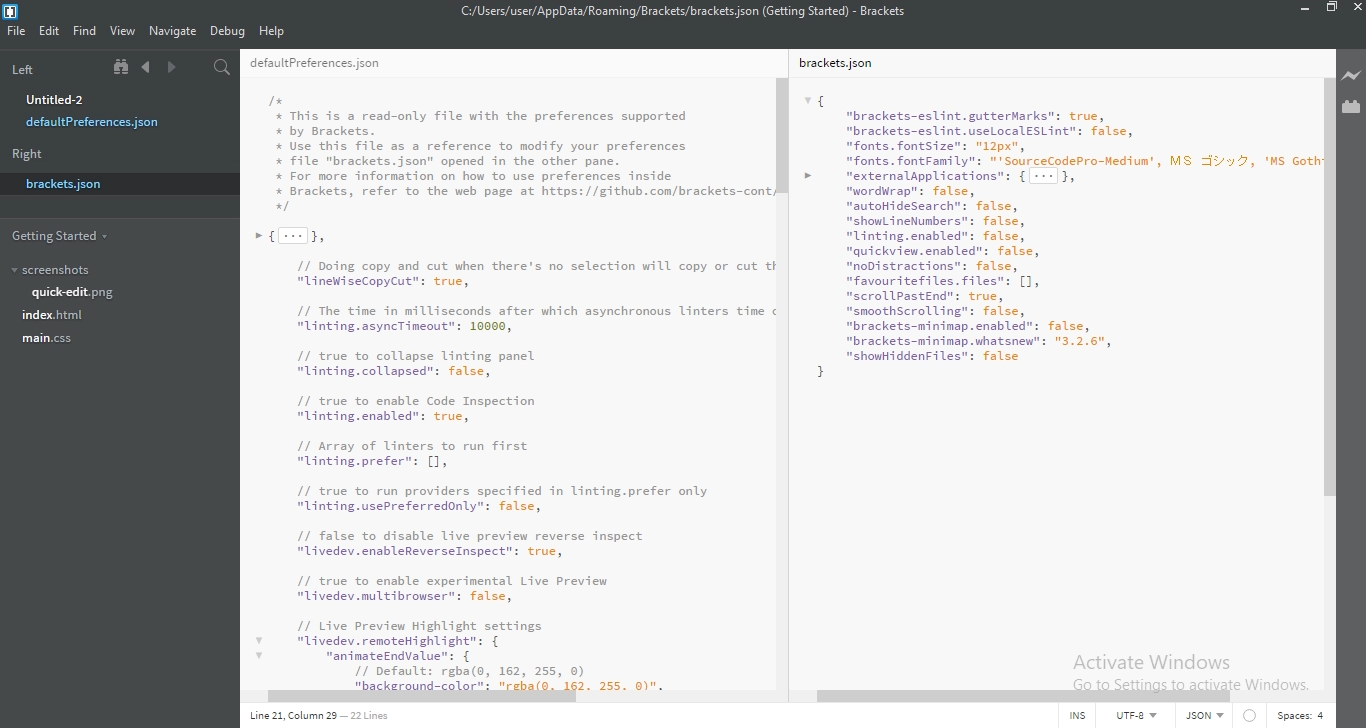 This screenshot has height=728, width=1366. What do you see at coordinates (1055, 231) in the screenshot?
I see `{"brackets-eslint.gutterMarks": true,"brackets-eslint.useLocal€SLint": false,"fonts. fontsize": "12px","fonts. fontFamily": "'SourceCodePro-Nedium', MS v2, 'MS Gothic’, monospace”> vexternalpplications": { --- },"wordWrap": false,“autoHidesearch": false,"shomLineNumbers": false,"Uinting.enabled": false,"quickview.enabled": false,"noDistractions": false,"favour itefiles. files": [1,"scrollPastEnd": true,"smoothScrolling": false,“brackets-minimap.enabled": false,` at bounding box center [1055, 231].